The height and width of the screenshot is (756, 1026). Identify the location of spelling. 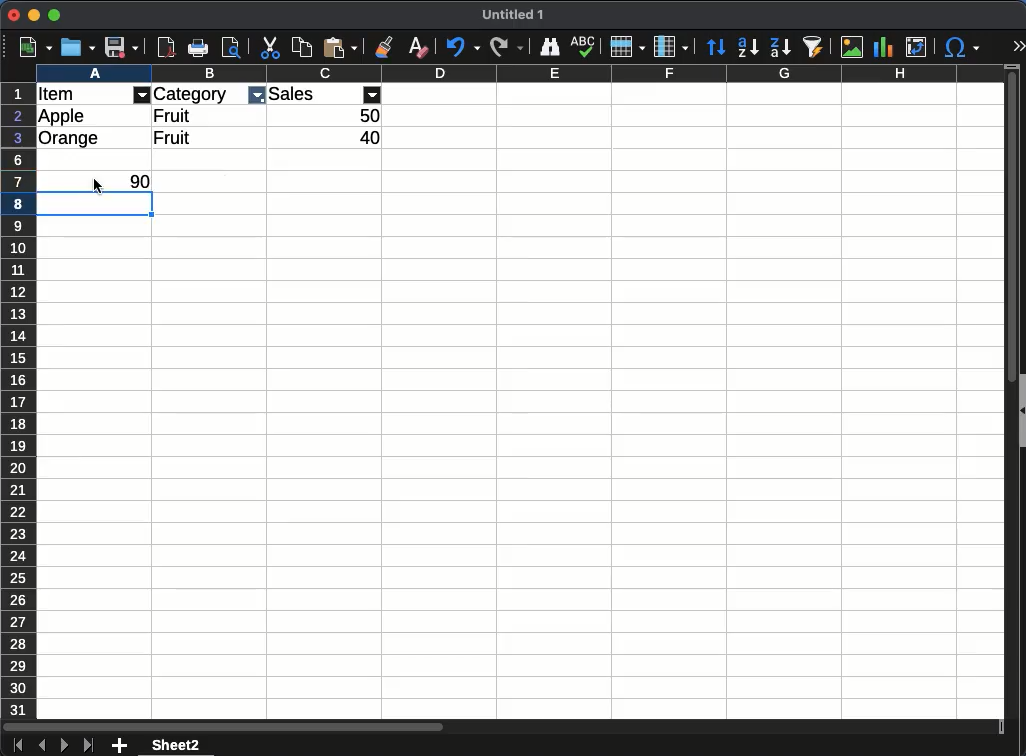
(584, 47).